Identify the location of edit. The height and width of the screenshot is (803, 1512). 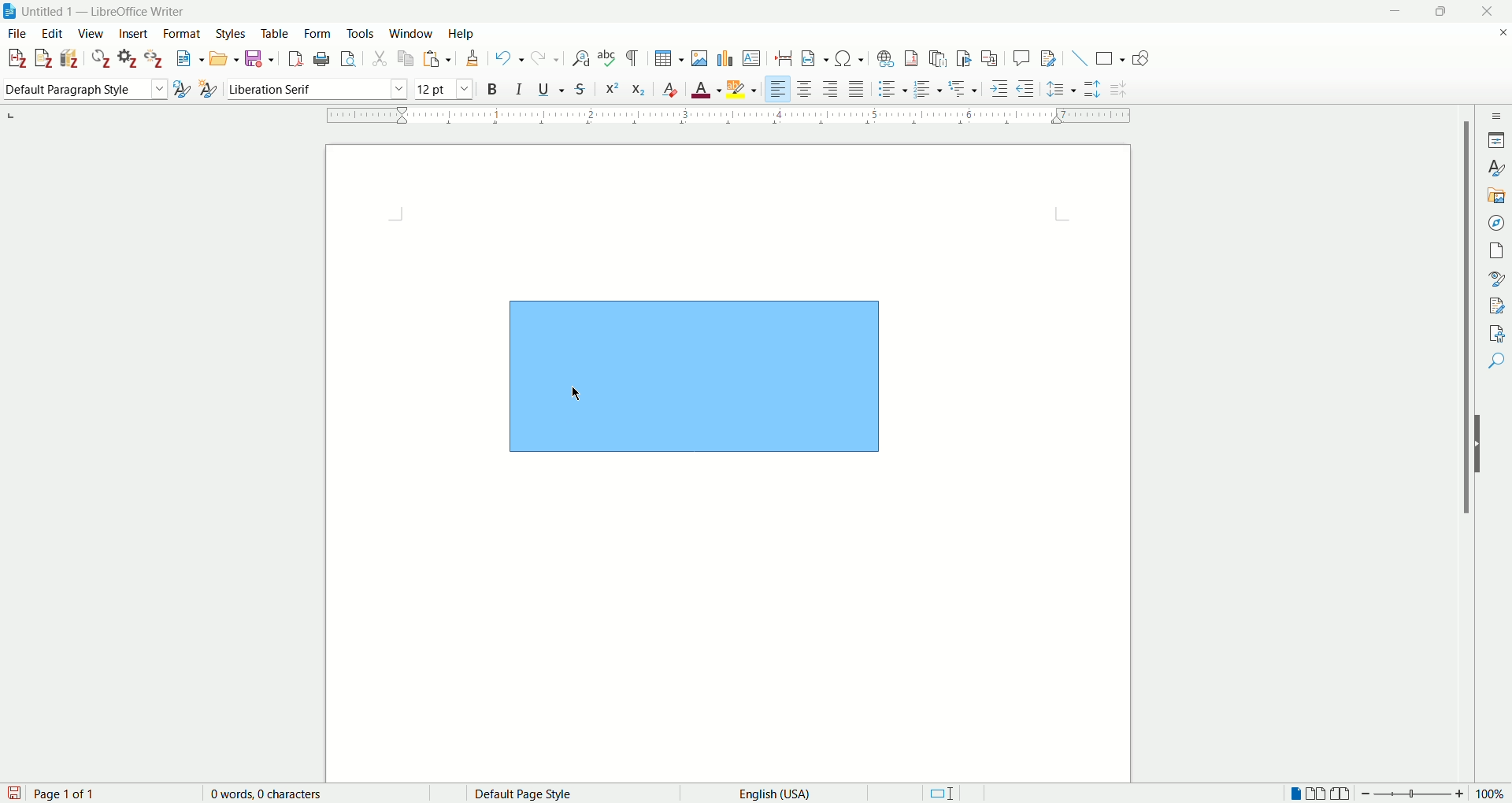
(53, 34).